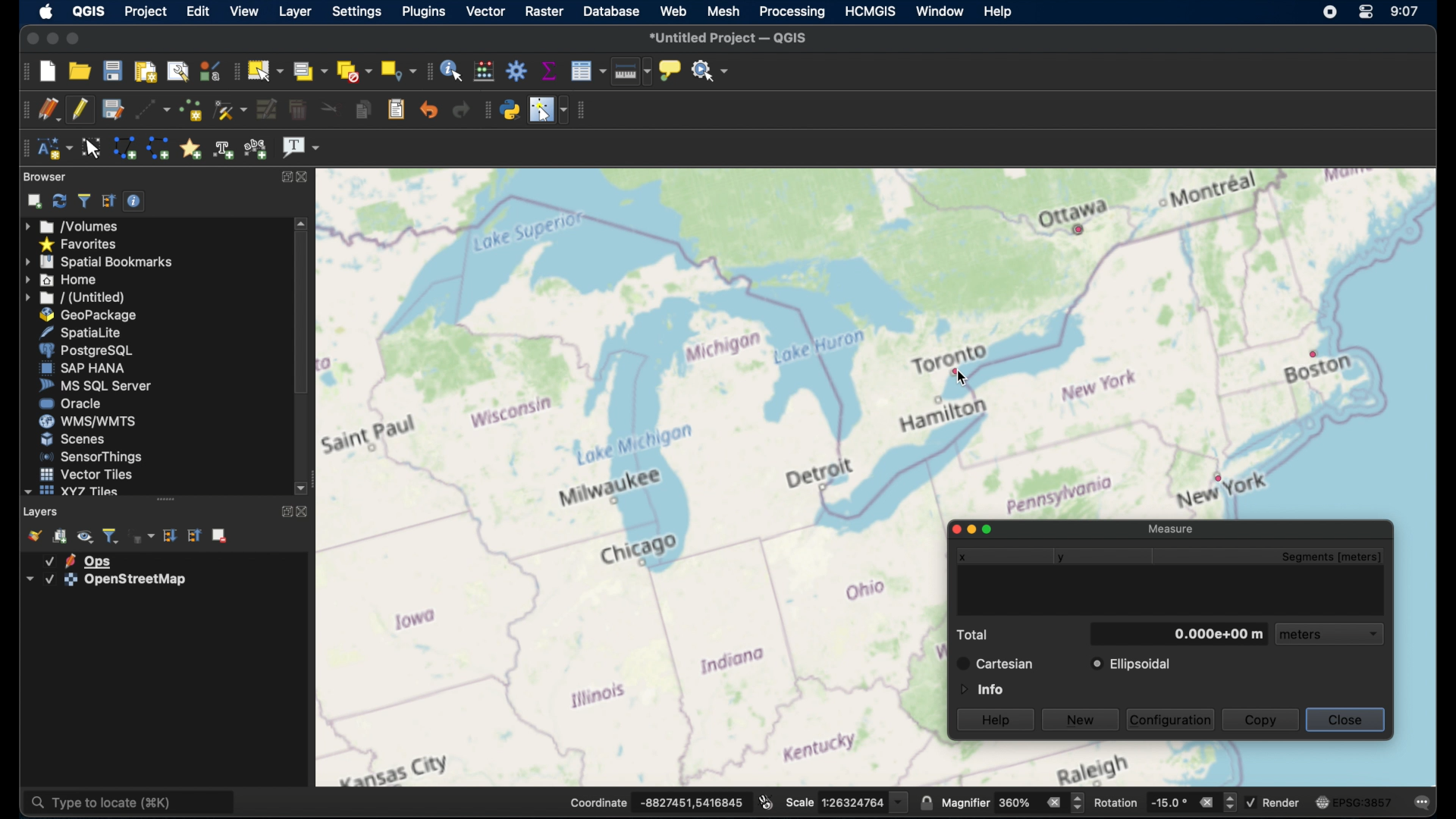 The height and width of the screenshot is (819, 1456). I want to click on measure, so click(1168, 527).